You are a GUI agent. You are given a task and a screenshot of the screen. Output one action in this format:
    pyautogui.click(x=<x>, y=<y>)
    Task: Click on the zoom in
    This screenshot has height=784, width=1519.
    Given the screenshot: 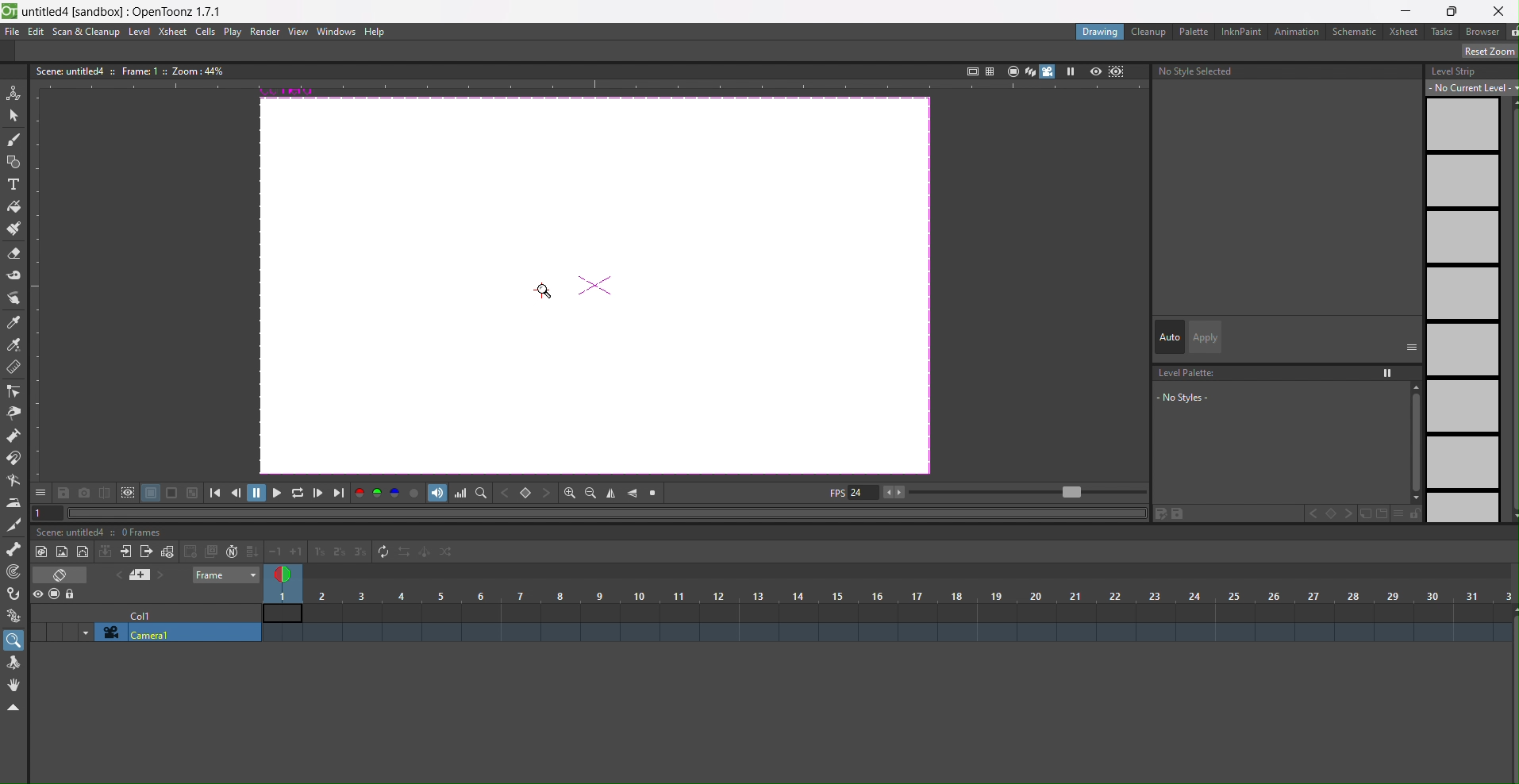 What is the action you would take?
    pyautogui.click(x=565, y=491)
    